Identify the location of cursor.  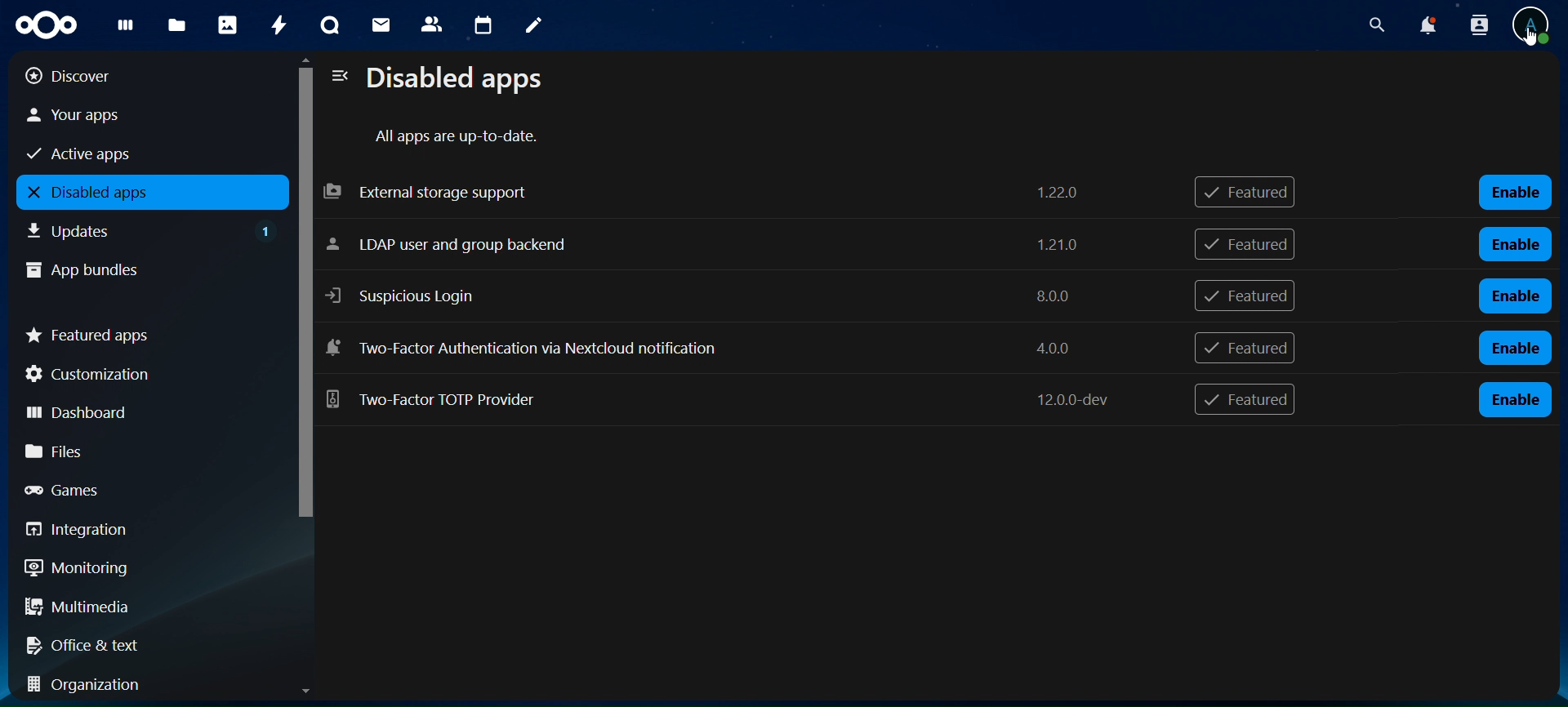
(1529, 39).